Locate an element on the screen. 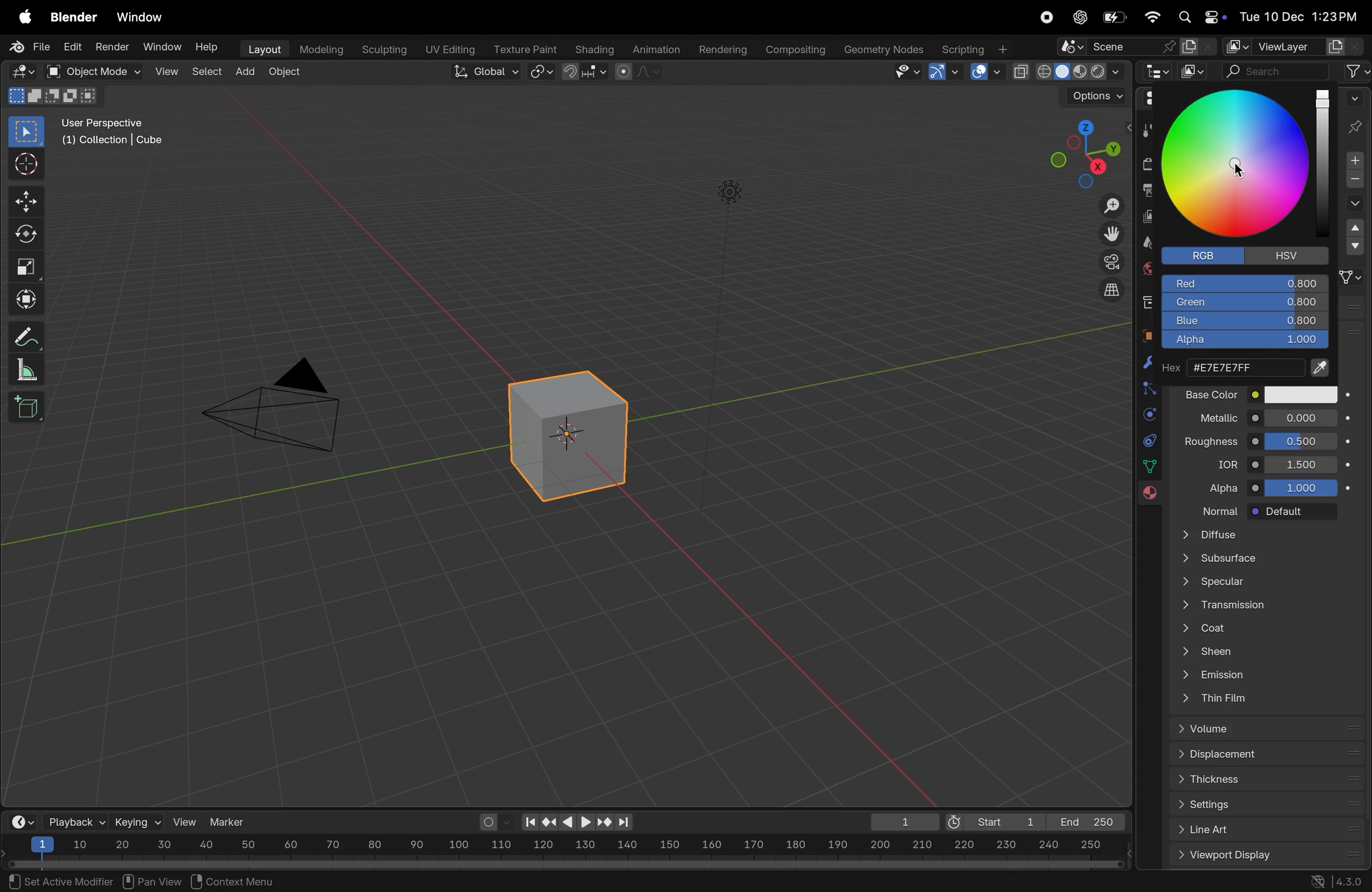 Image resolution: width=1372 pixels, height=892 pixels. pin is located at coordinates (1356, 114).